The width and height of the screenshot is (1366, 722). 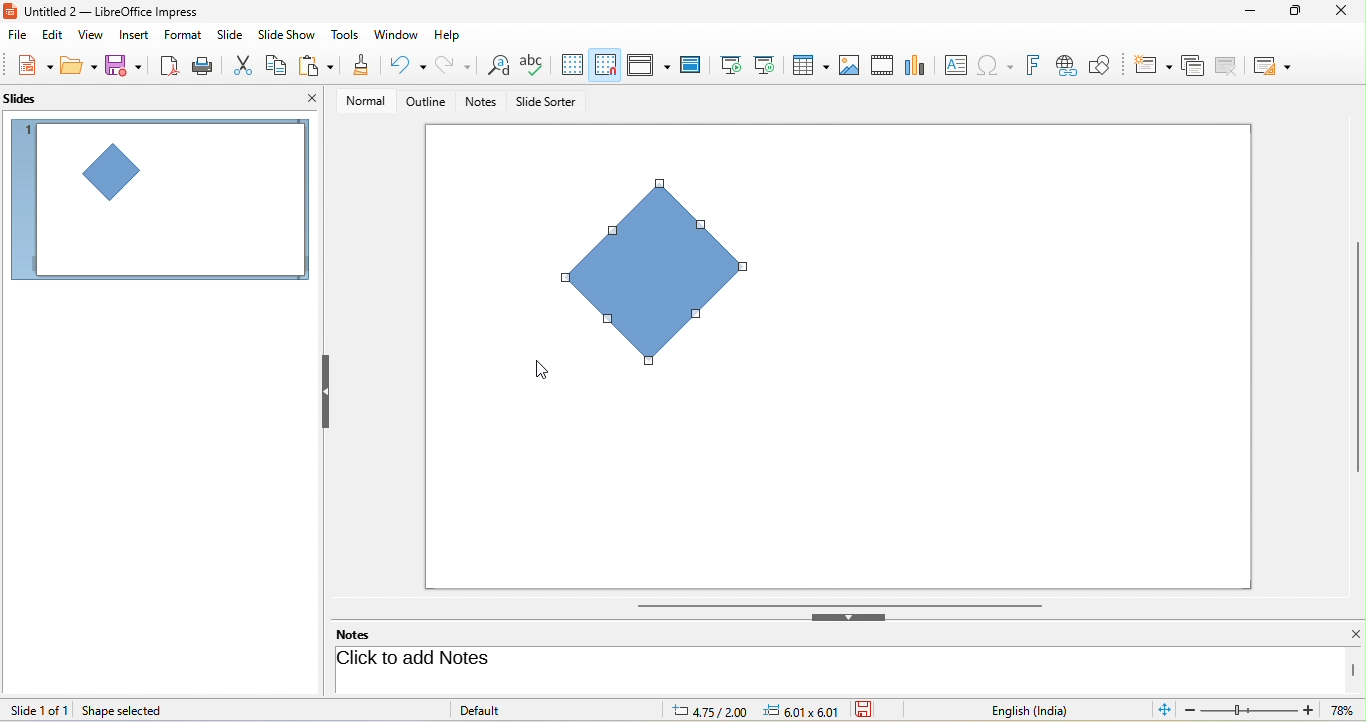 I want to click on hide, so click(x=325, y=392).